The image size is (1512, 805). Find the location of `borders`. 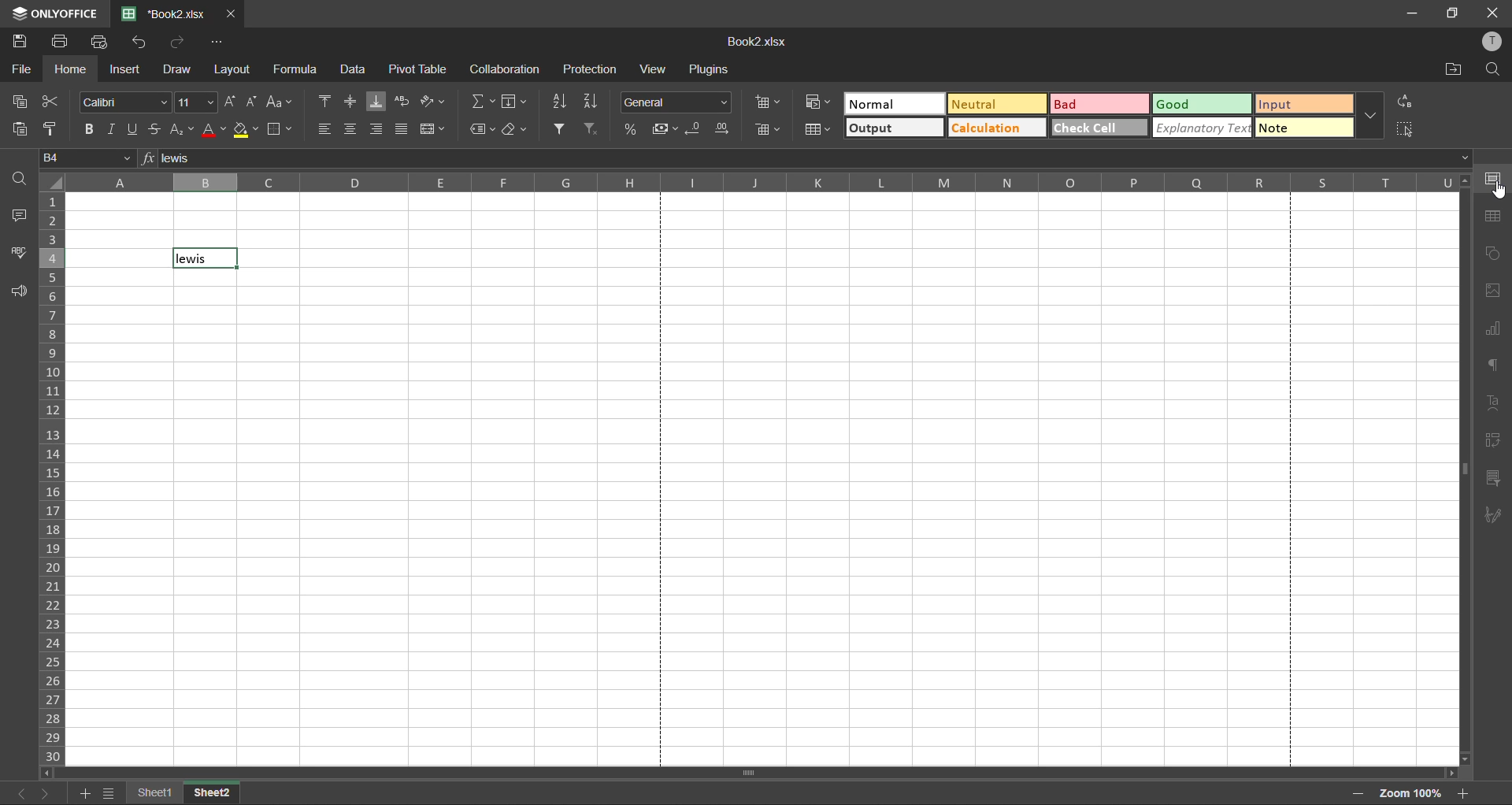

borders is located at coordinates (281, 132).